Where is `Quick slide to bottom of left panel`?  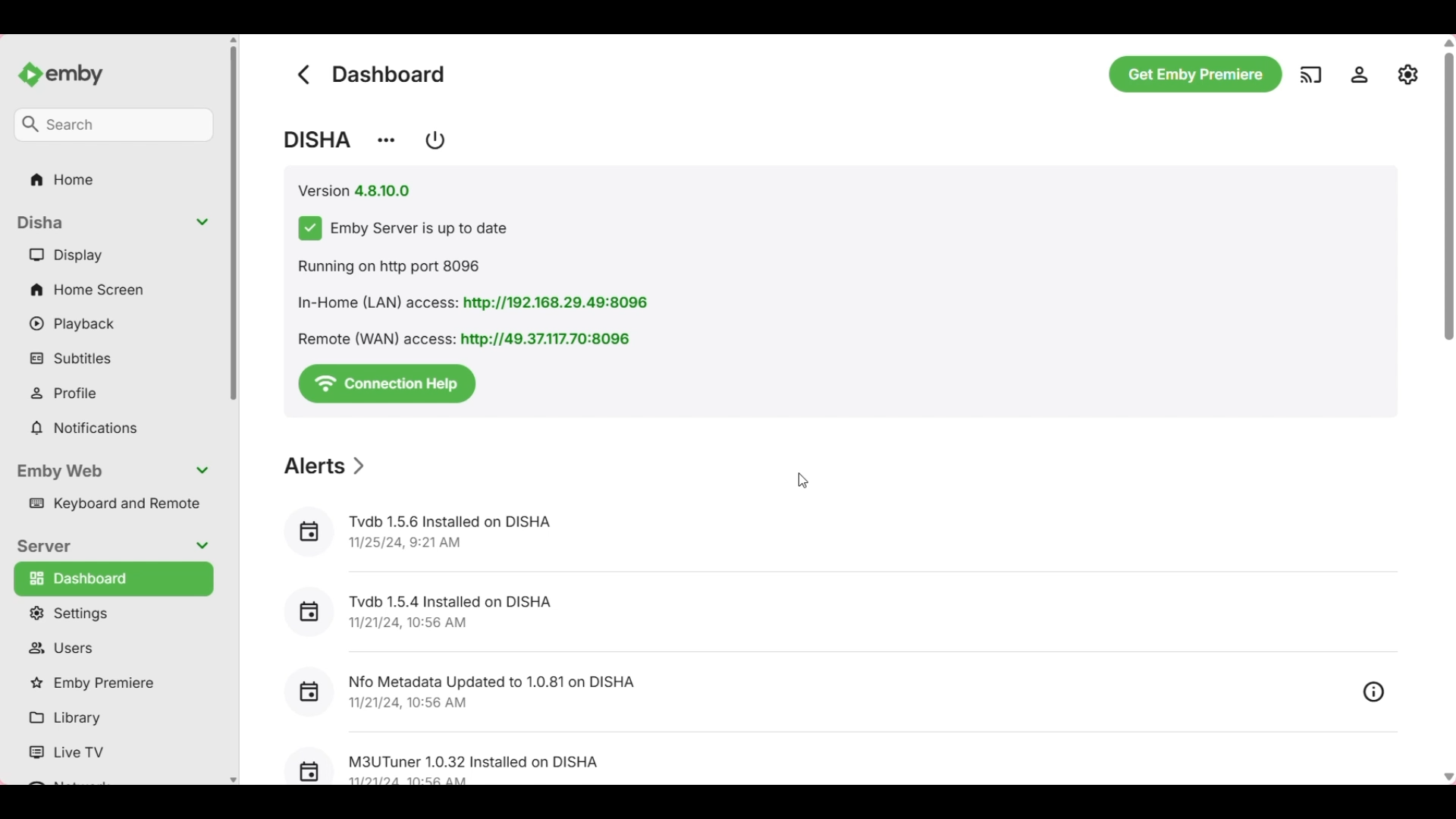 Quick slide to bottom of left panel is located at coordinates (234, 780).